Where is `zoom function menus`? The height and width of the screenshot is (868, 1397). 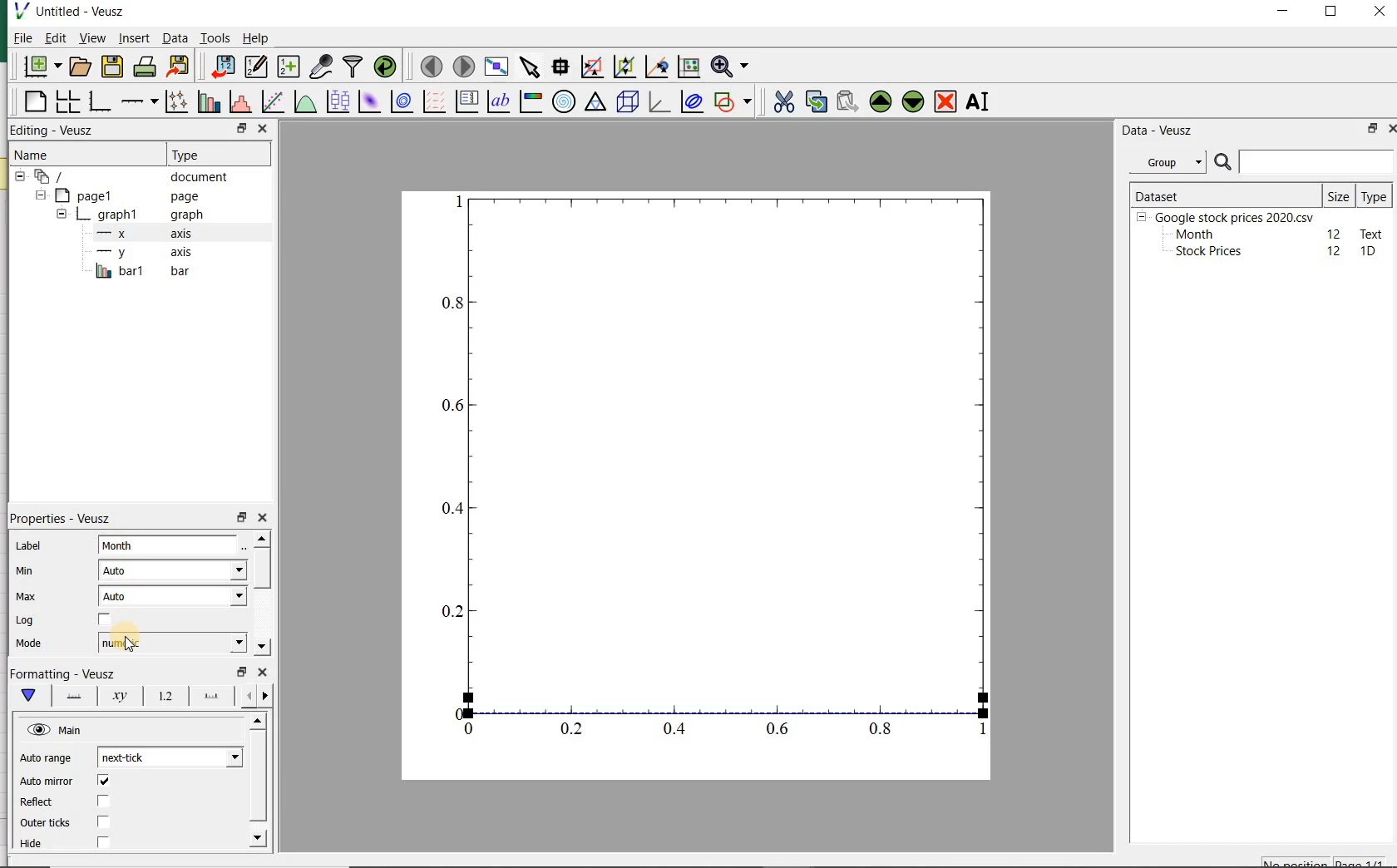
zoom function menus is located at coordinates (733, 67).